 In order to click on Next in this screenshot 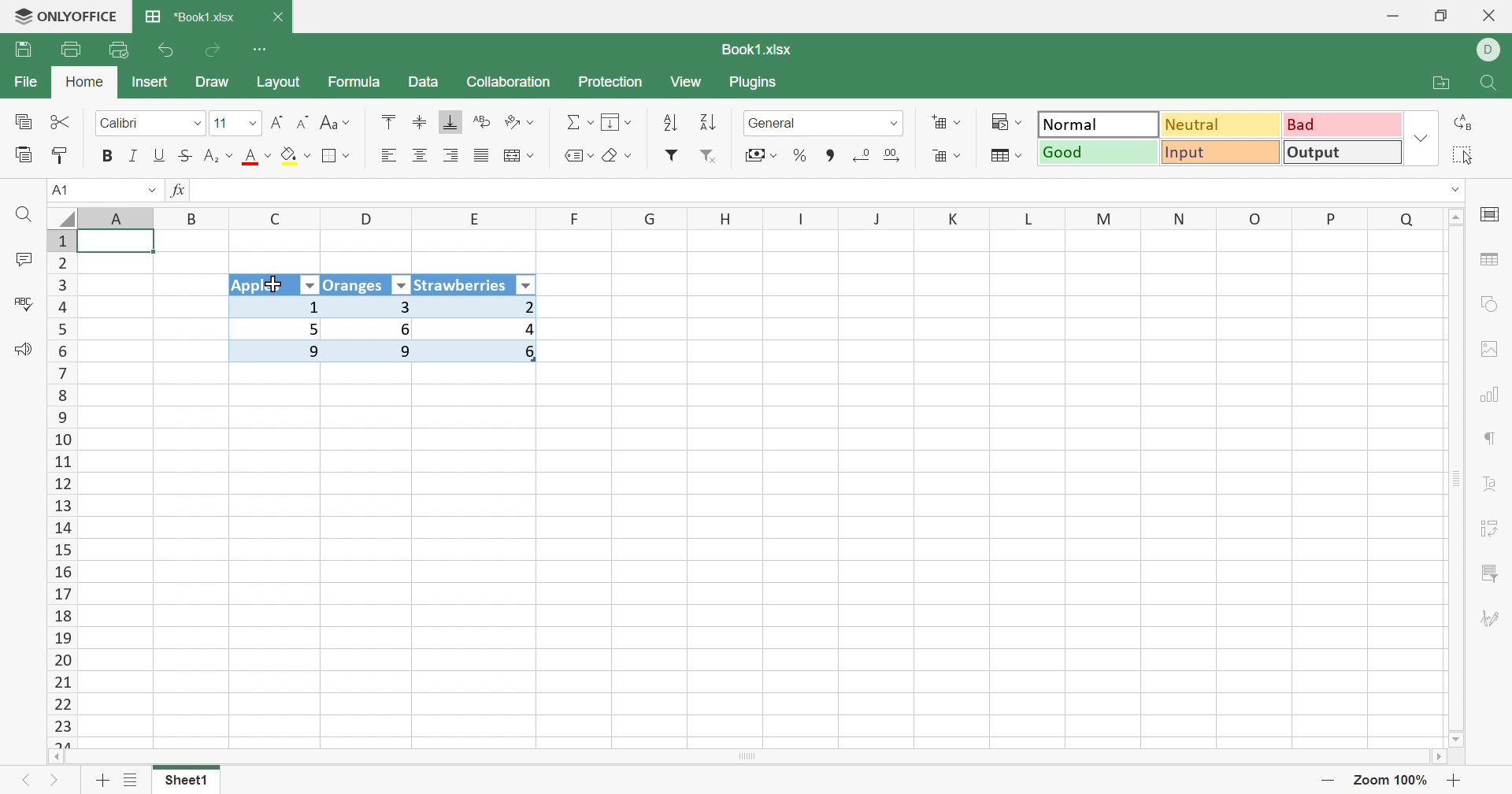, I will do `click(55, 784)`.